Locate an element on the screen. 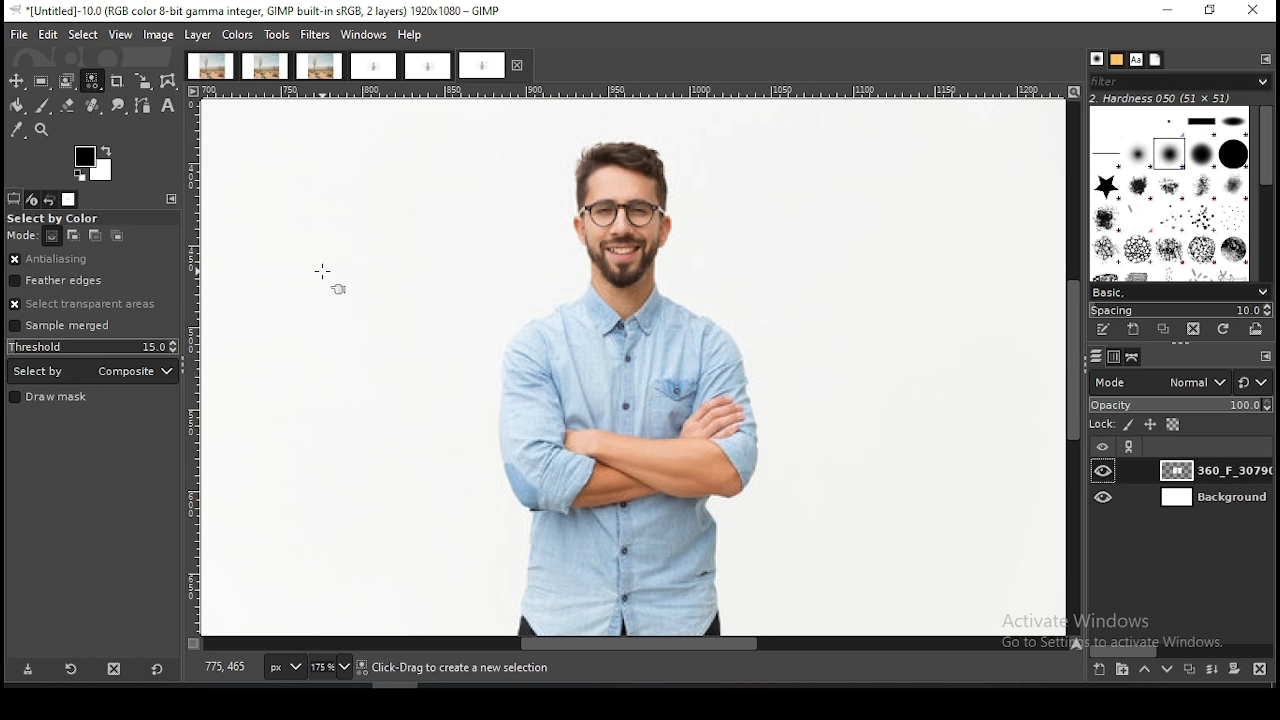  add to the current selection is located at coordinates (71, 236).